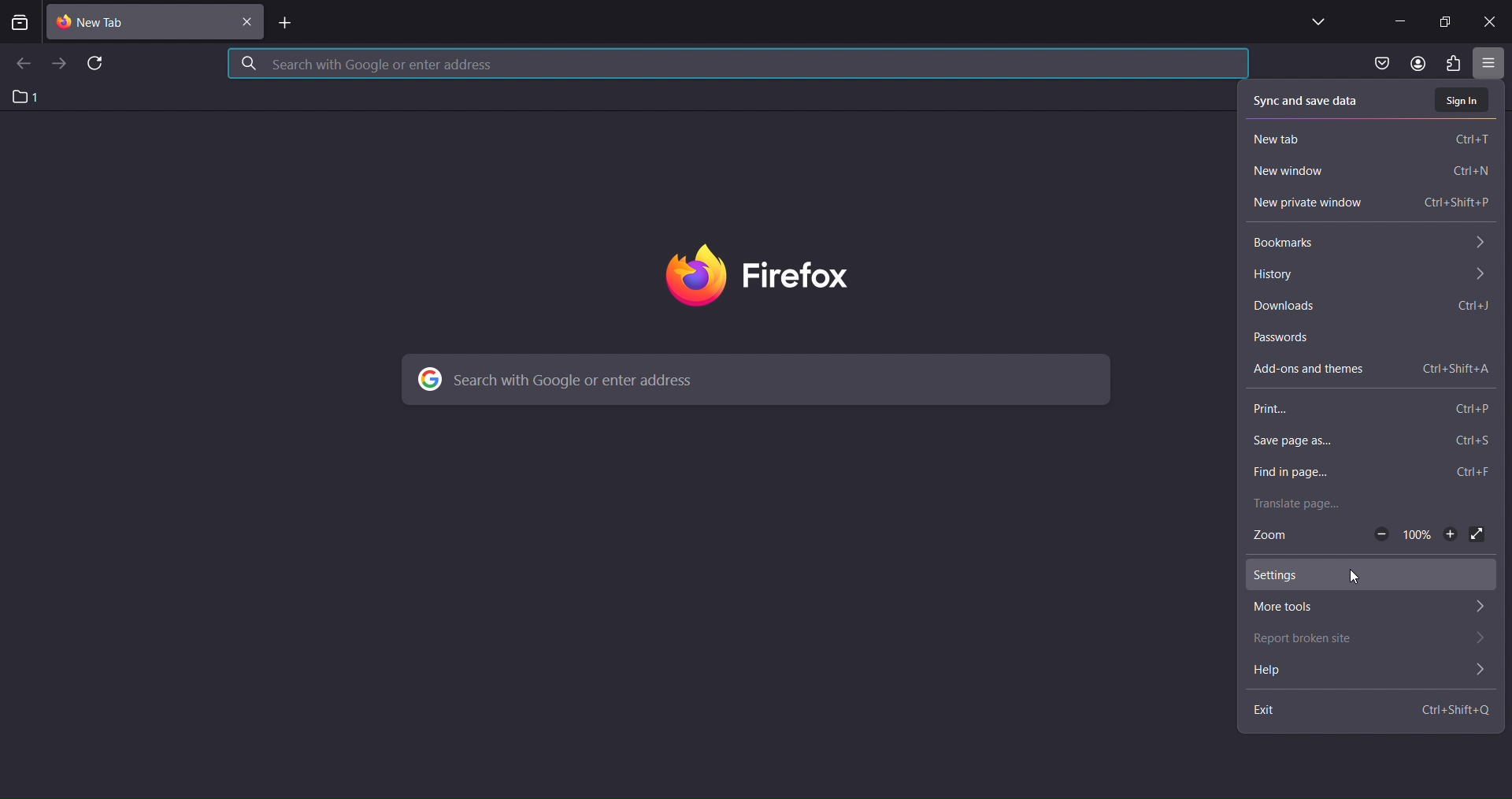  Describe the element at coordinates (1491, 24) in the screenshot. I see `close` at that location.